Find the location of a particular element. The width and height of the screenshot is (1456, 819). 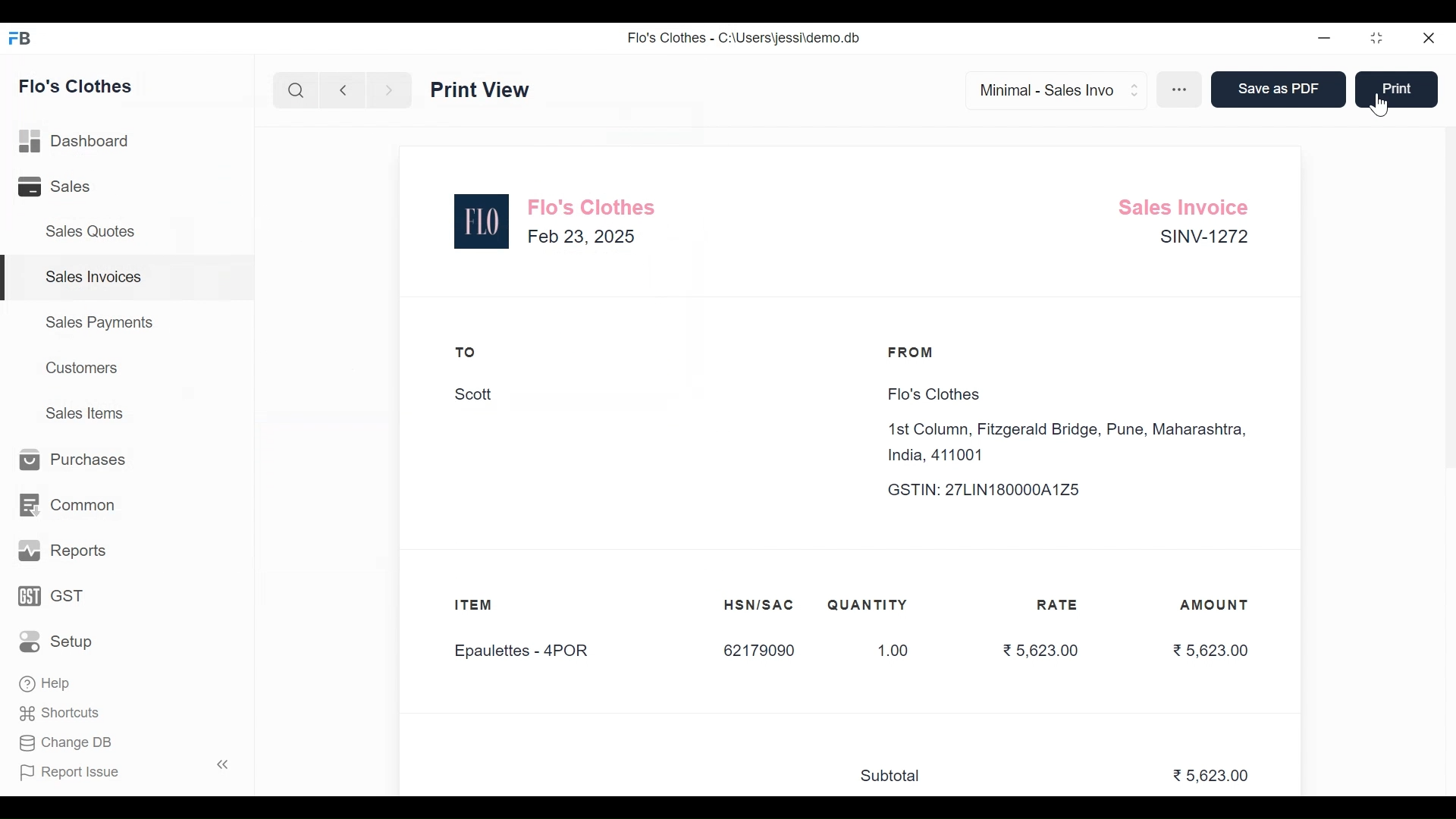

Sales Invoice is located at coordinates (1188, 205).